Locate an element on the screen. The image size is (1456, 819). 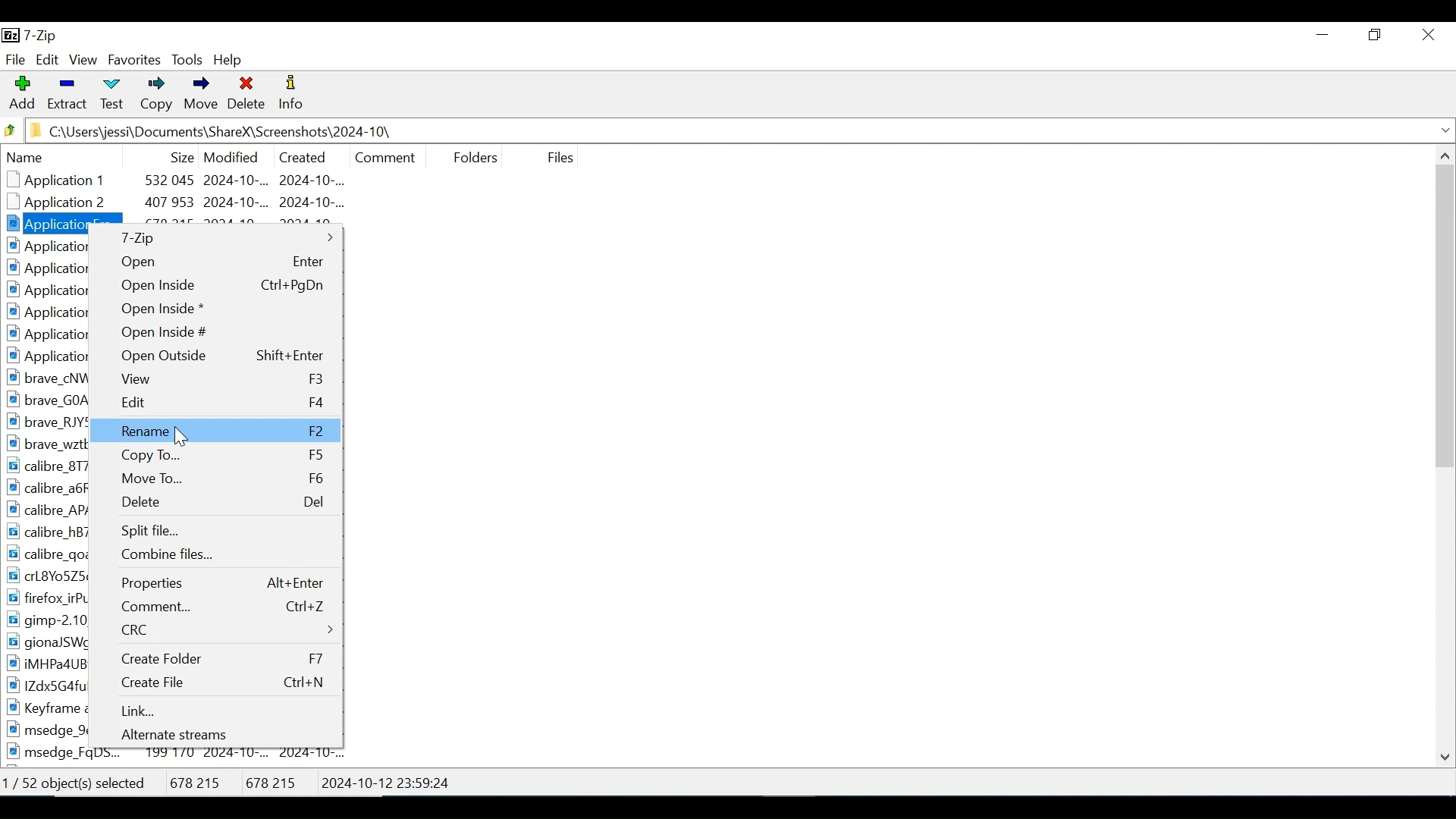
Edit is located at coordinates (47, 60).